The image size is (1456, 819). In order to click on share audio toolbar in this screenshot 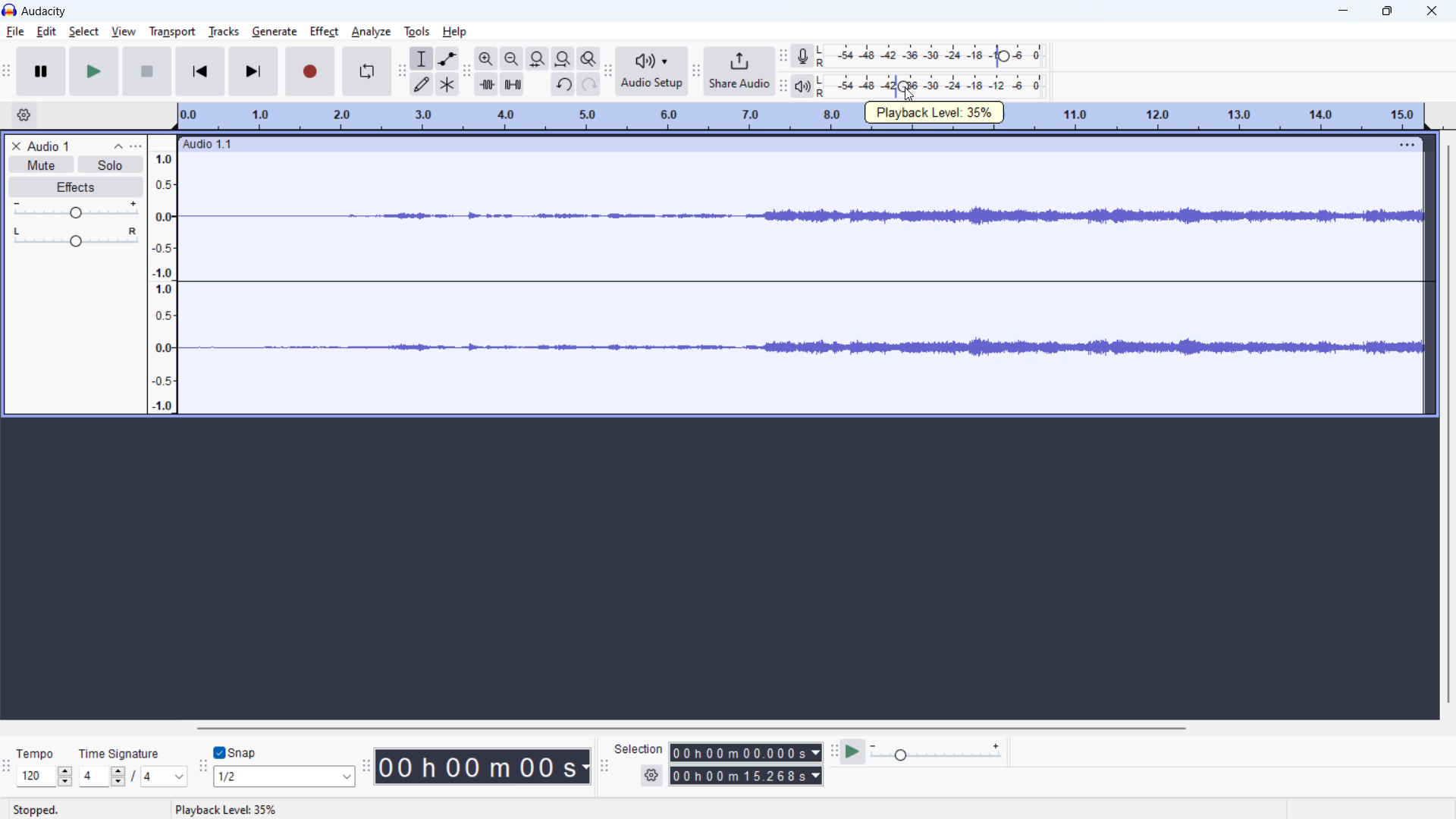, I will do `click(697, 71)`.